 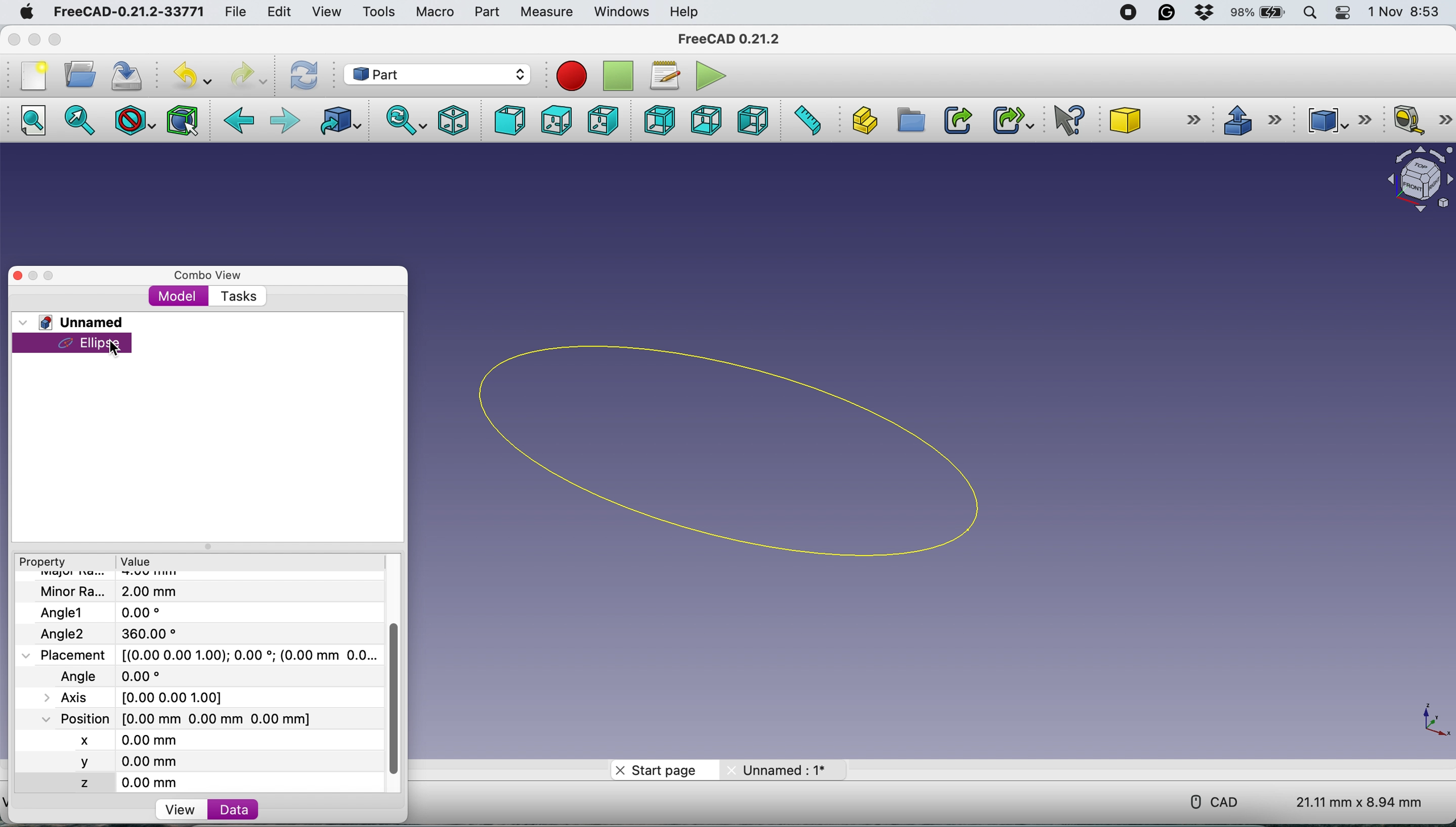 What do you see at coordinates (485, 12) in the screenshot?
I see `part` at bounding box center [485, 12].